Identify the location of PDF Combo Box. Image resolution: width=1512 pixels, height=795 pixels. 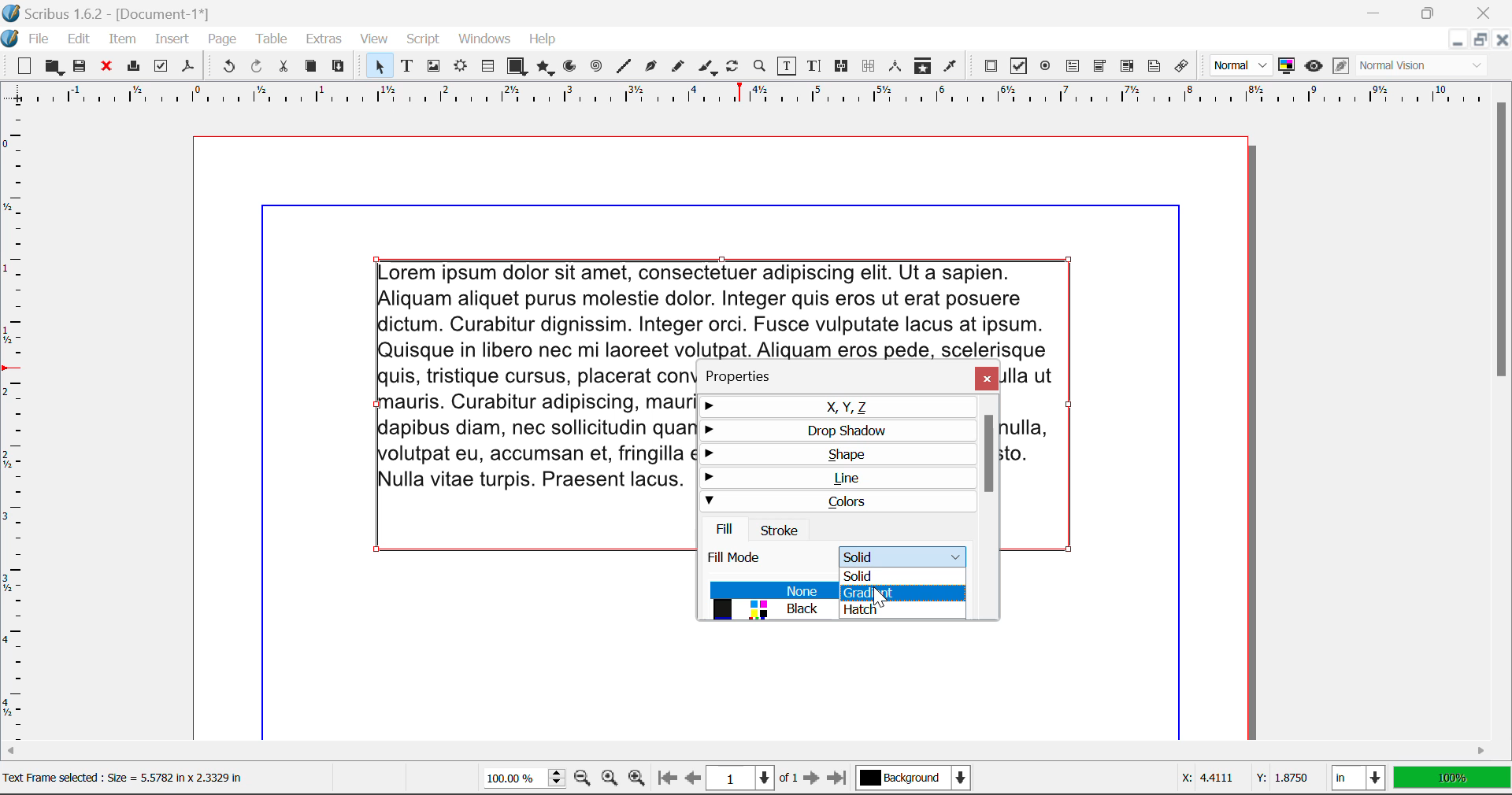
(1099, 68).